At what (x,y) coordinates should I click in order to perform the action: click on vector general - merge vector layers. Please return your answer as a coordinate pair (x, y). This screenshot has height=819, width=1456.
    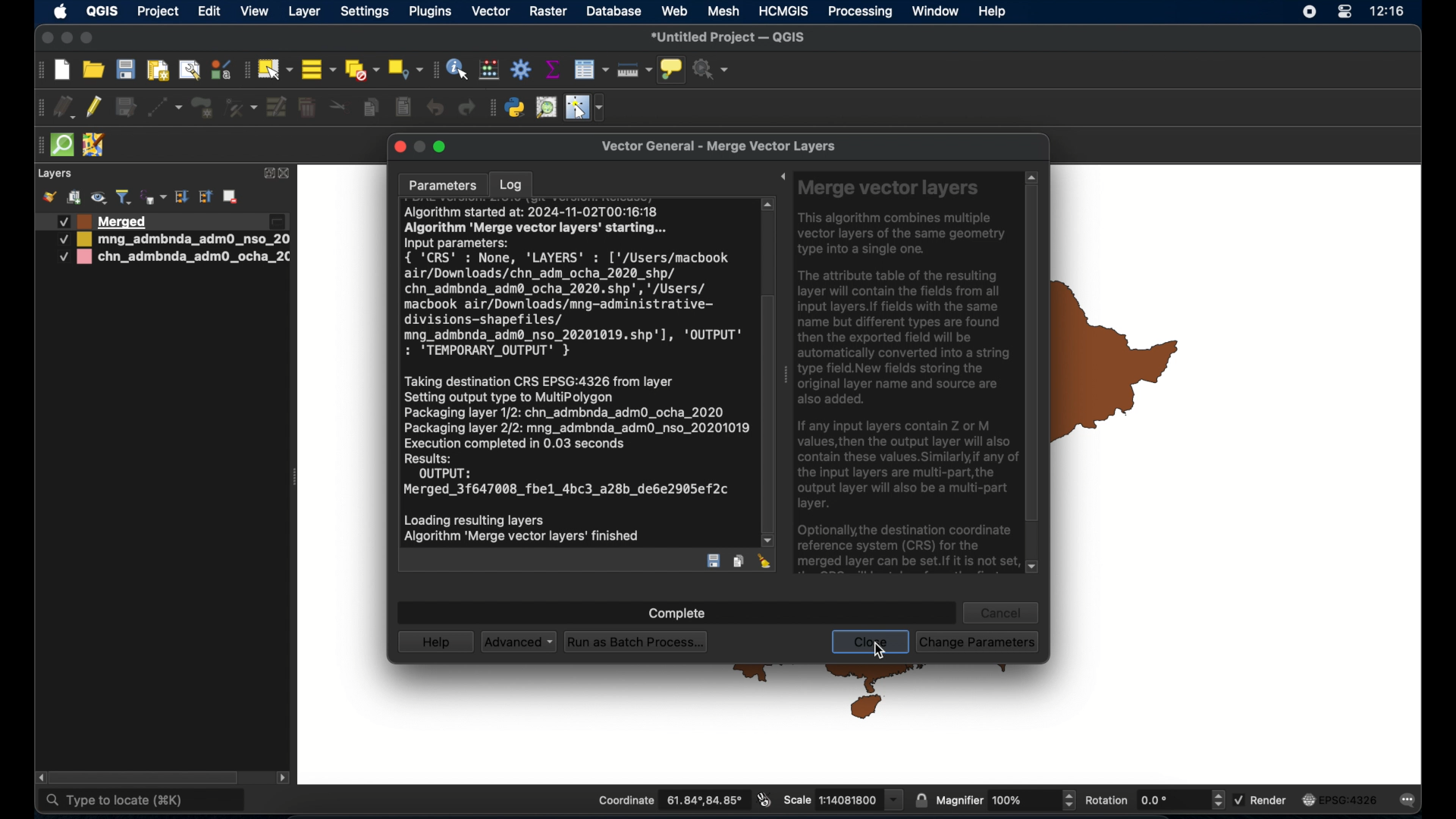
    Looking at the image, I should click on (723, 146).